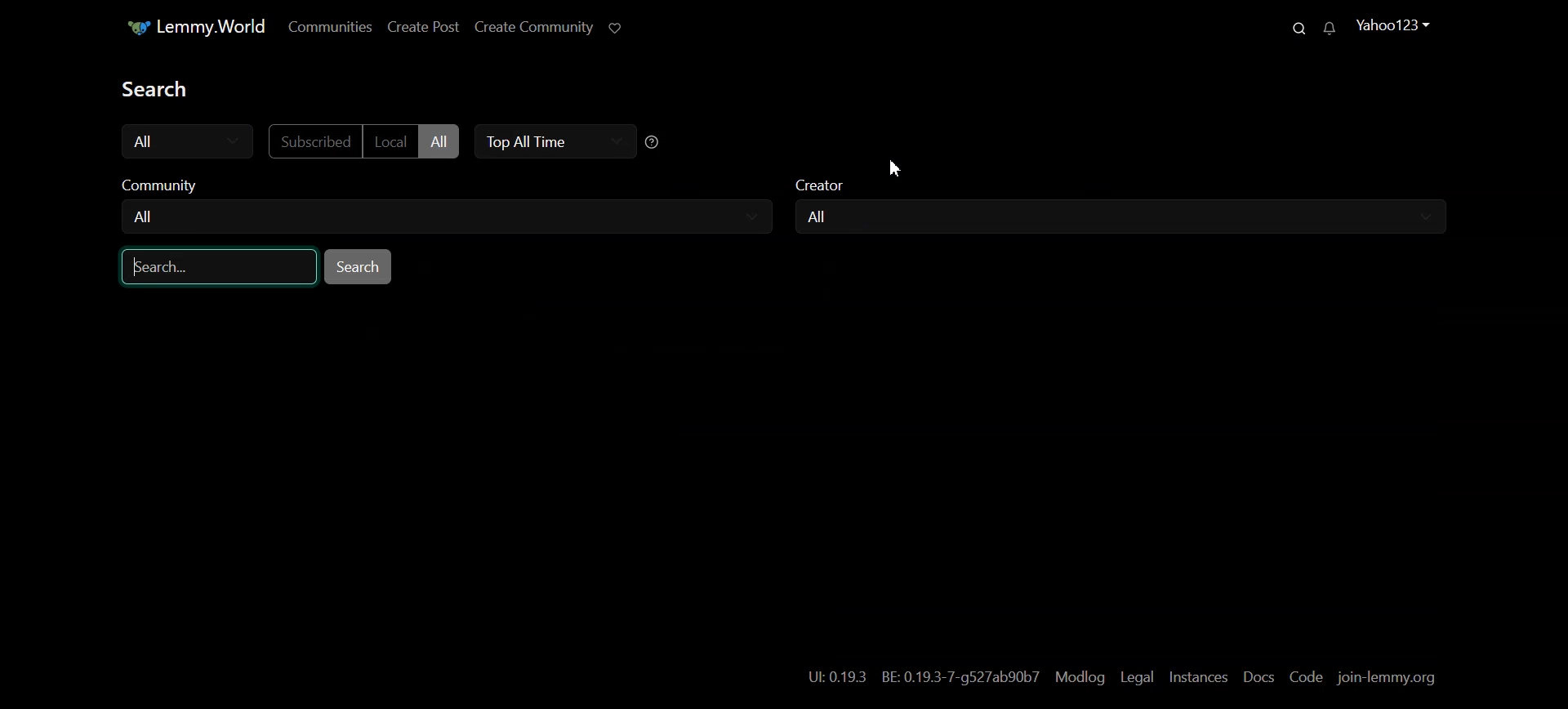 The height and width of the screenshot is (709, 1568). What do you see at coordinates (188, 141) in the screenshot?
I see `All` at bounding box center [188, 141].